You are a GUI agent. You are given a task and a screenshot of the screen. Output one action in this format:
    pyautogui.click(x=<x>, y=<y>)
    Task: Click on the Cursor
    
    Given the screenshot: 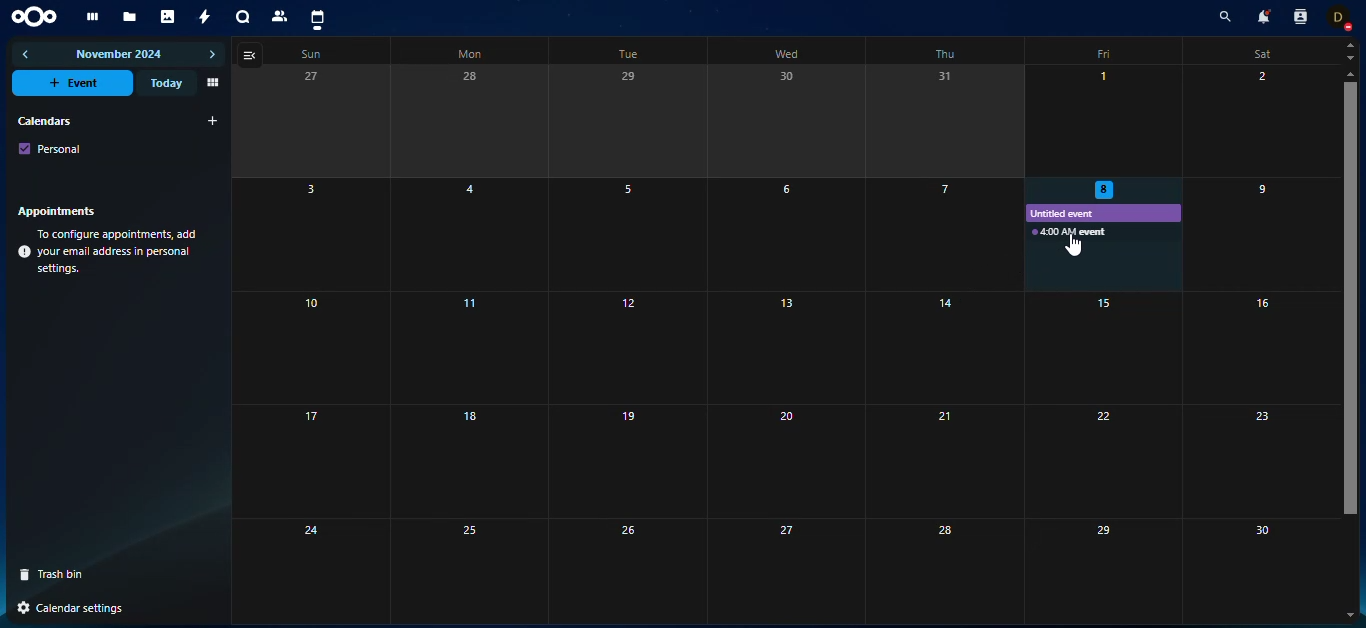 What is the action you would take?
    pyautogui.click(x=1073, y=244)
    